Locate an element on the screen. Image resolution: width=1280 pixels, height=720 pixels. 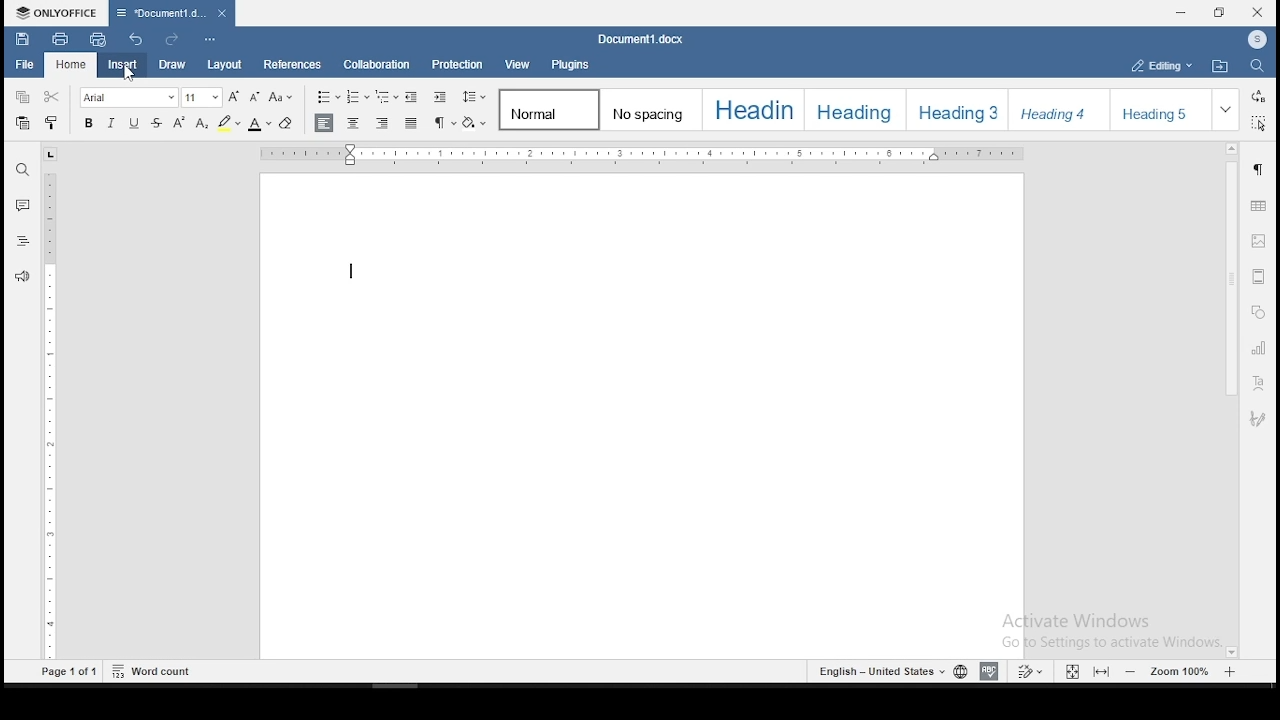
heading option is located at coordinates (862, 109).